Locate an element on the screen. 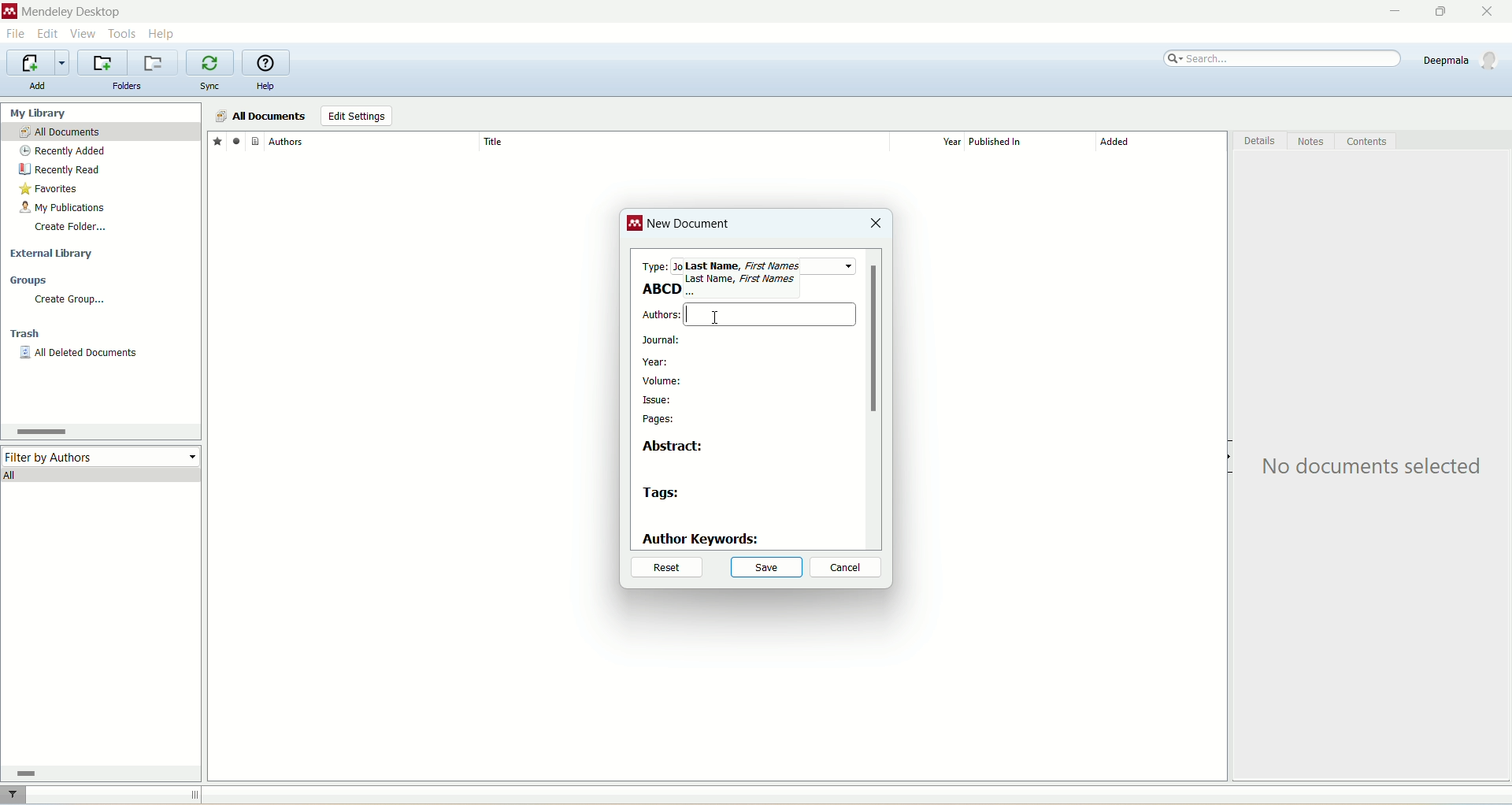  tools is located at coordinates (123, 32).